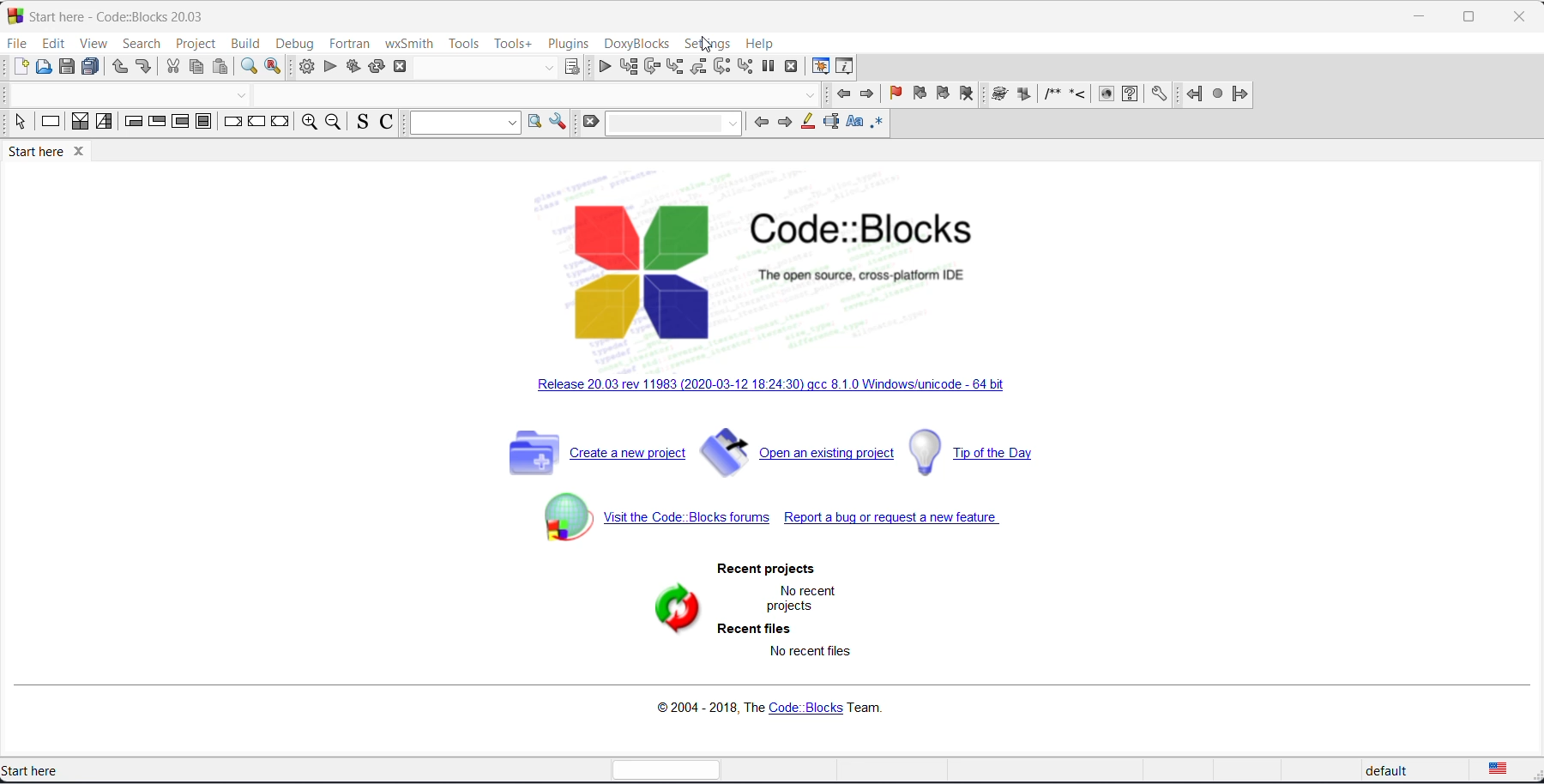  What do you see at coordinates (1420, 17) in the screenshot?
I see `minimize` at bounding box center [1420, 17].